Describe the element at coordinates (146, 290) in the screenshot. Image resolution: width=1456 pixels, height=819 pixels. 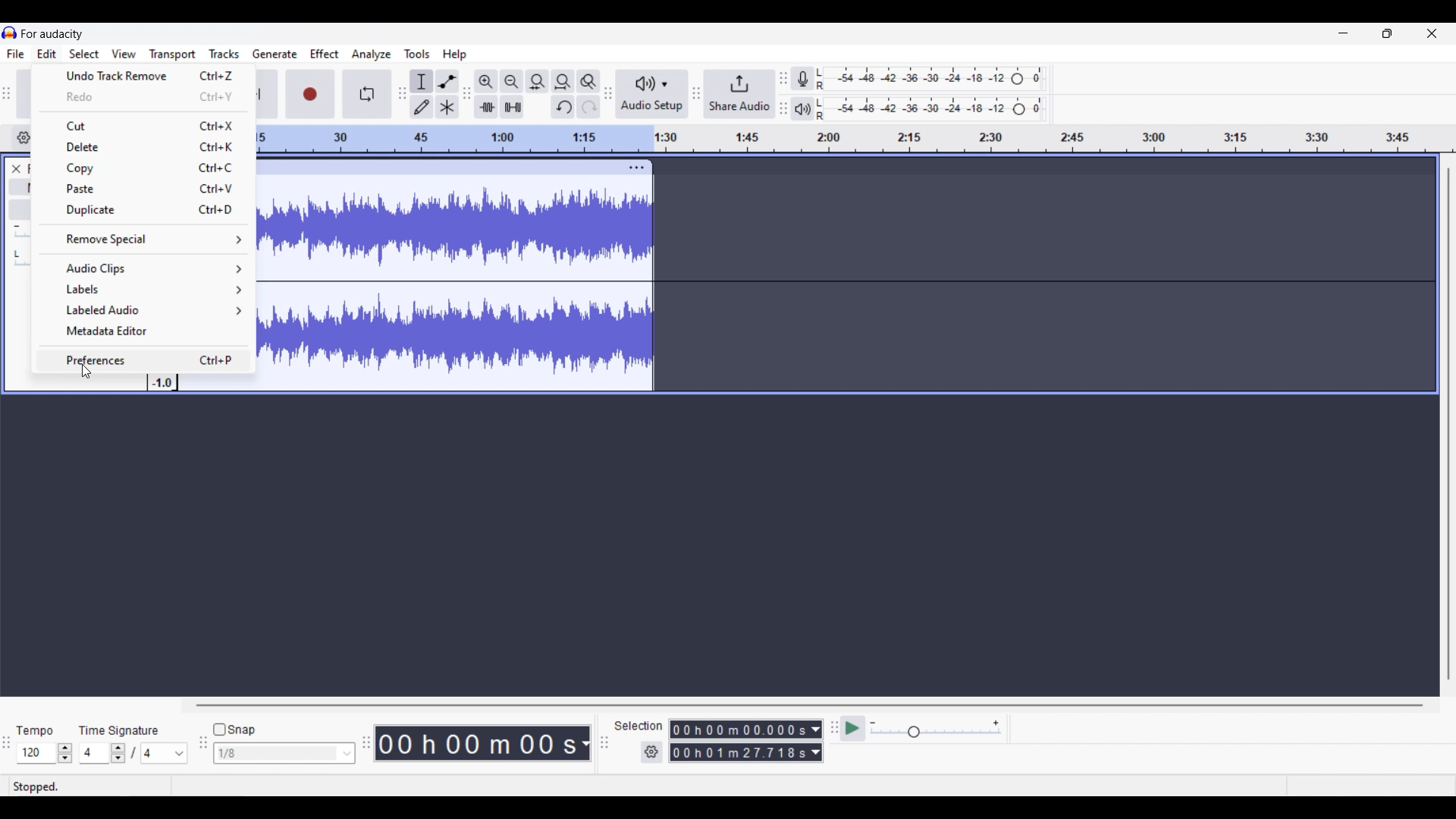
I see `Label options` at that location.